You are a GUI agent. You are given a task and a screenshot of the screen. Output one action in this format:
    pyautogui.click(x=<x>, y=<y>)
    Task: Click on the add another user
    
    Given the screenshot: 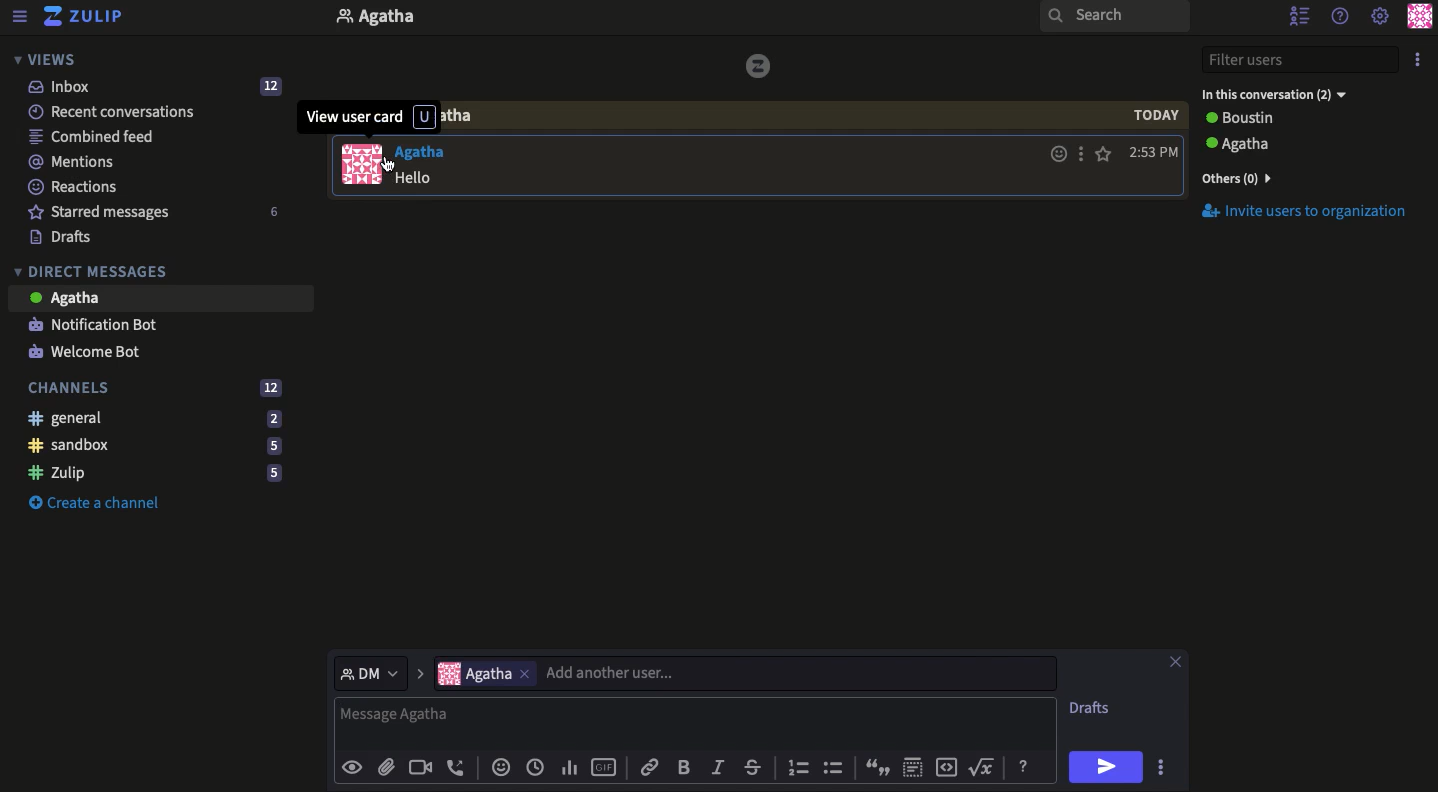 What is the action you would take?
    pyautogui.click(x=802, y=674)
    